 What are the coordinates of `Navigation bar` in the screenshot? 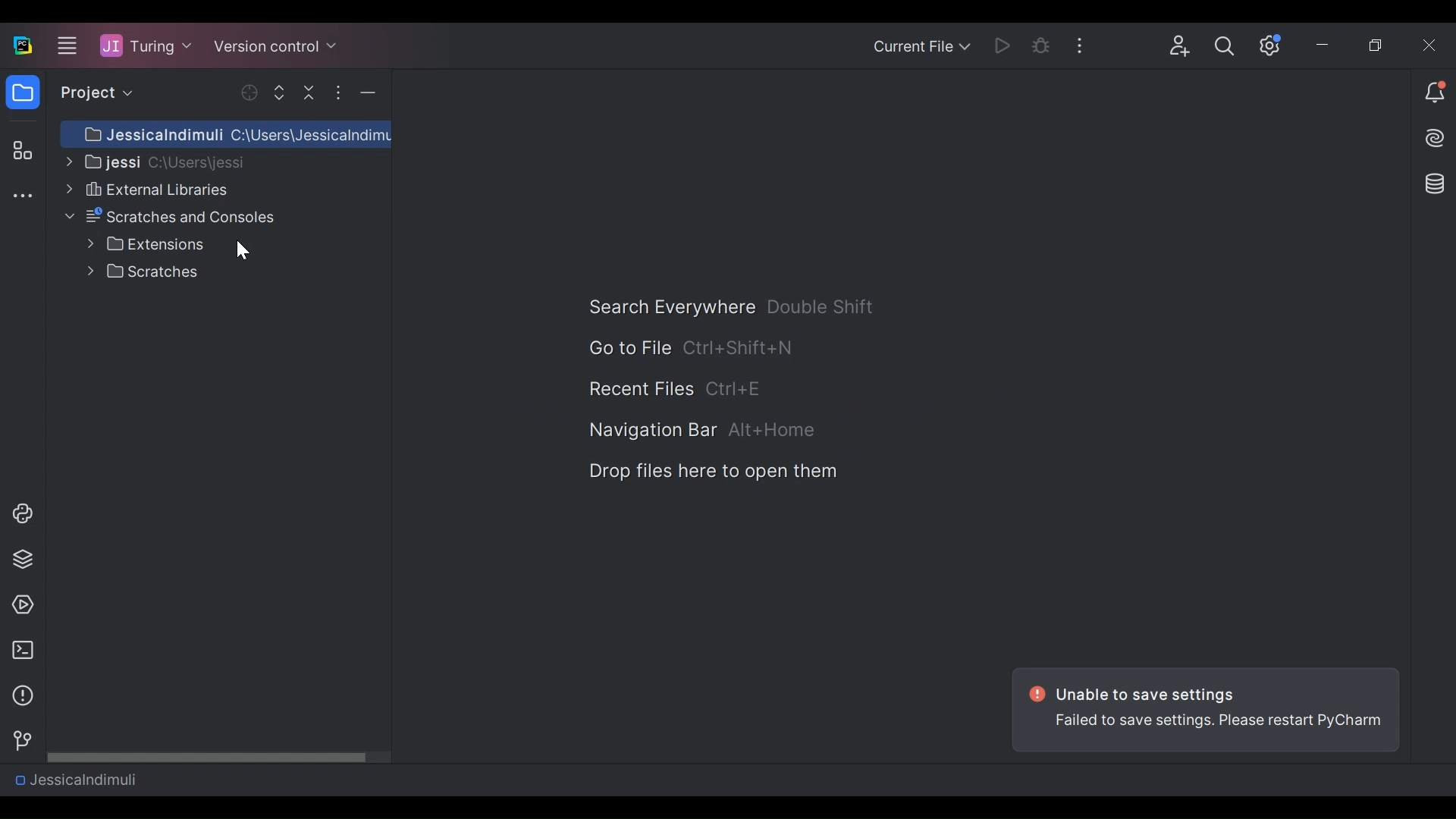 It's located at (651, 431).